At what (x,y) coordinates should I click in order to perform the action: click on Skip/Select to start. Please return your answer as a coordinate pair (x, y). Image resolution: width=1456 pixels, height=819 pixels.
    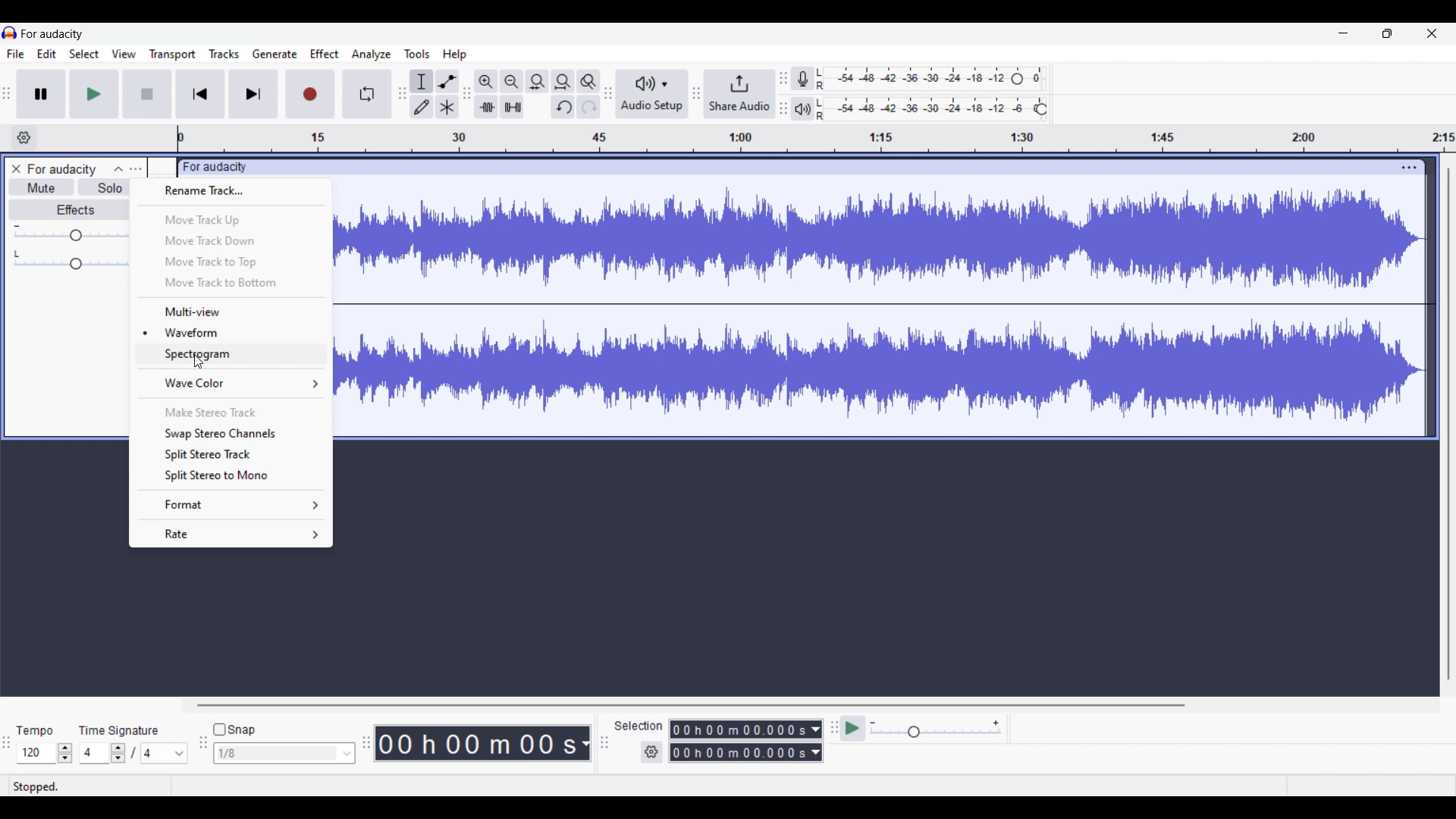
    Looking at the image, I should click on (201, 94).